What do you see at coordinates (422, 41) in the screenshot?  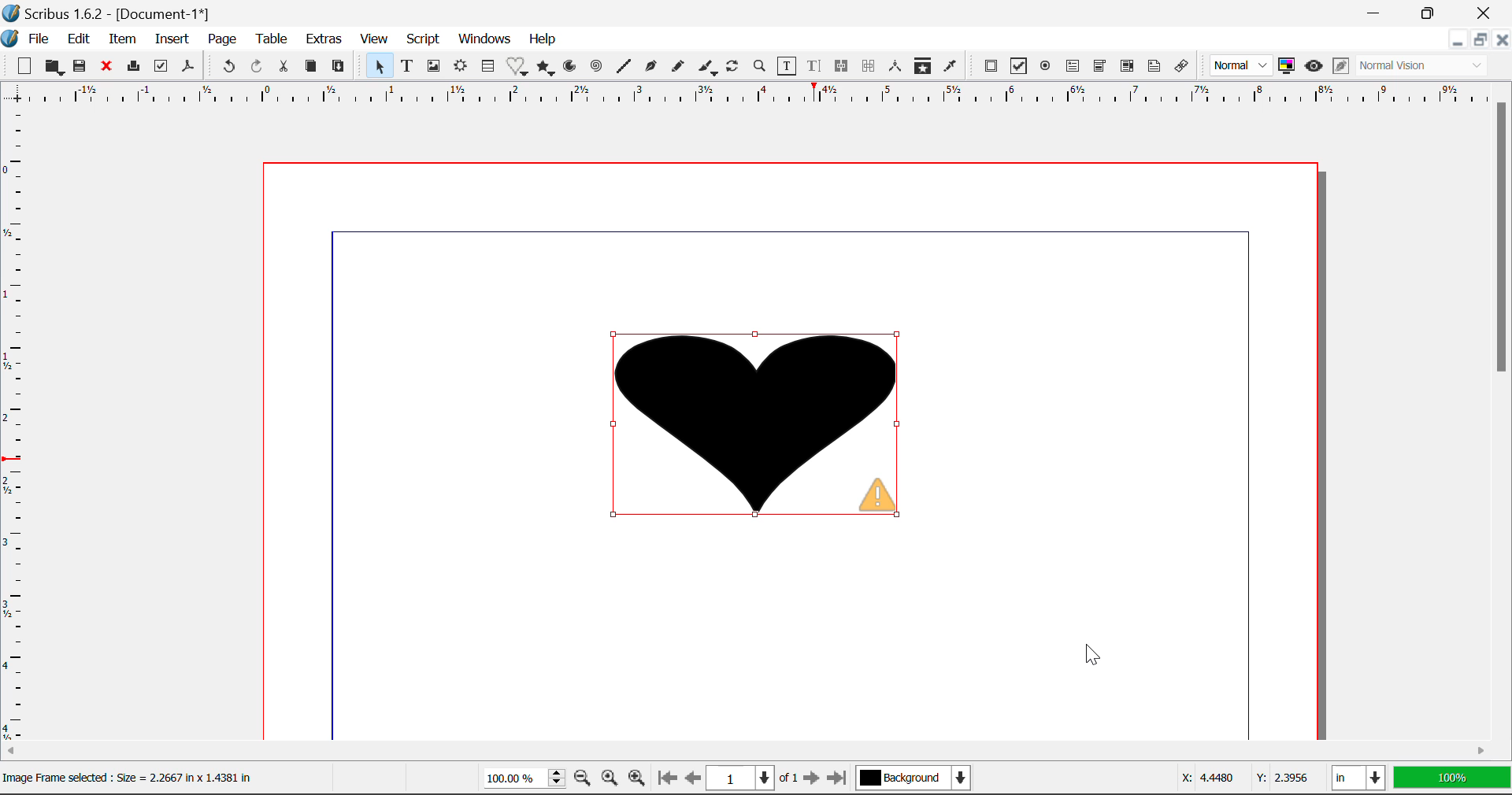 I see `Script` at bounding box center [422, 41].